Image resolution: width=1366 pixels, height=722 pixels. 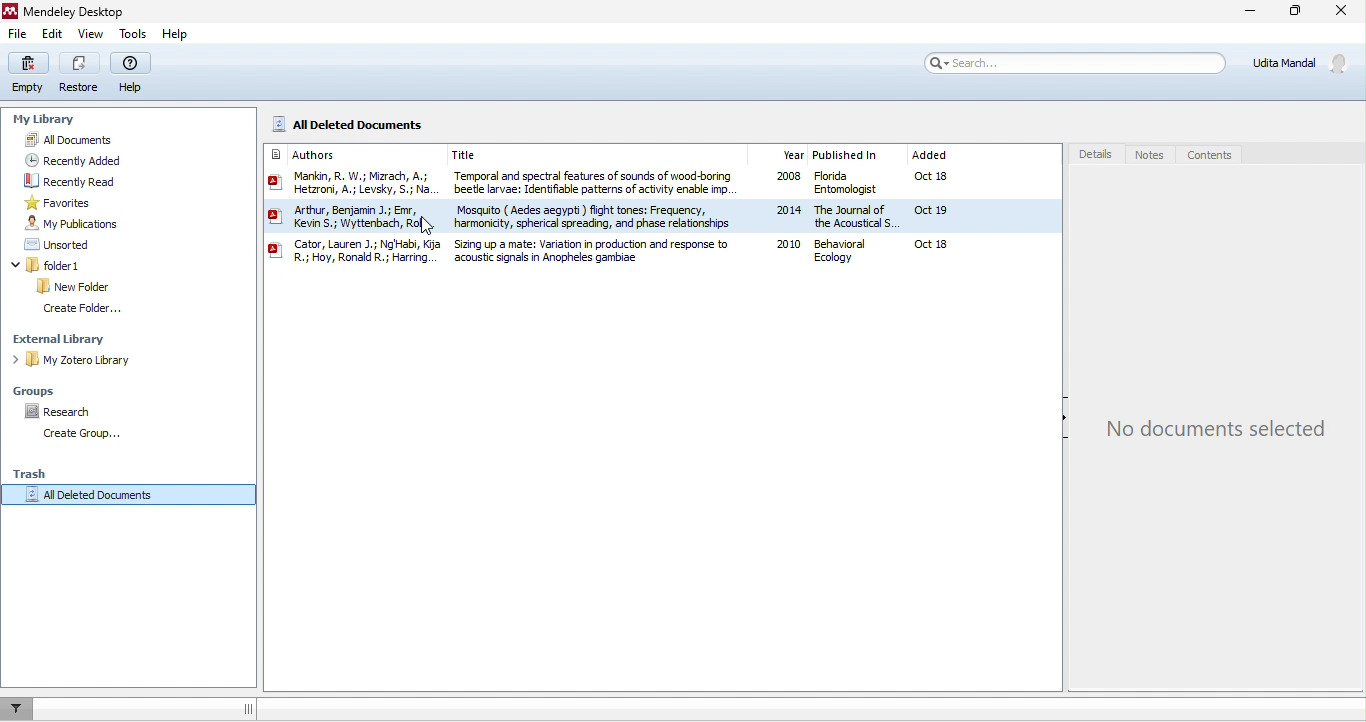 I want to click on Oct 18
oct 19
oct 18, so click(x=957, y=217).